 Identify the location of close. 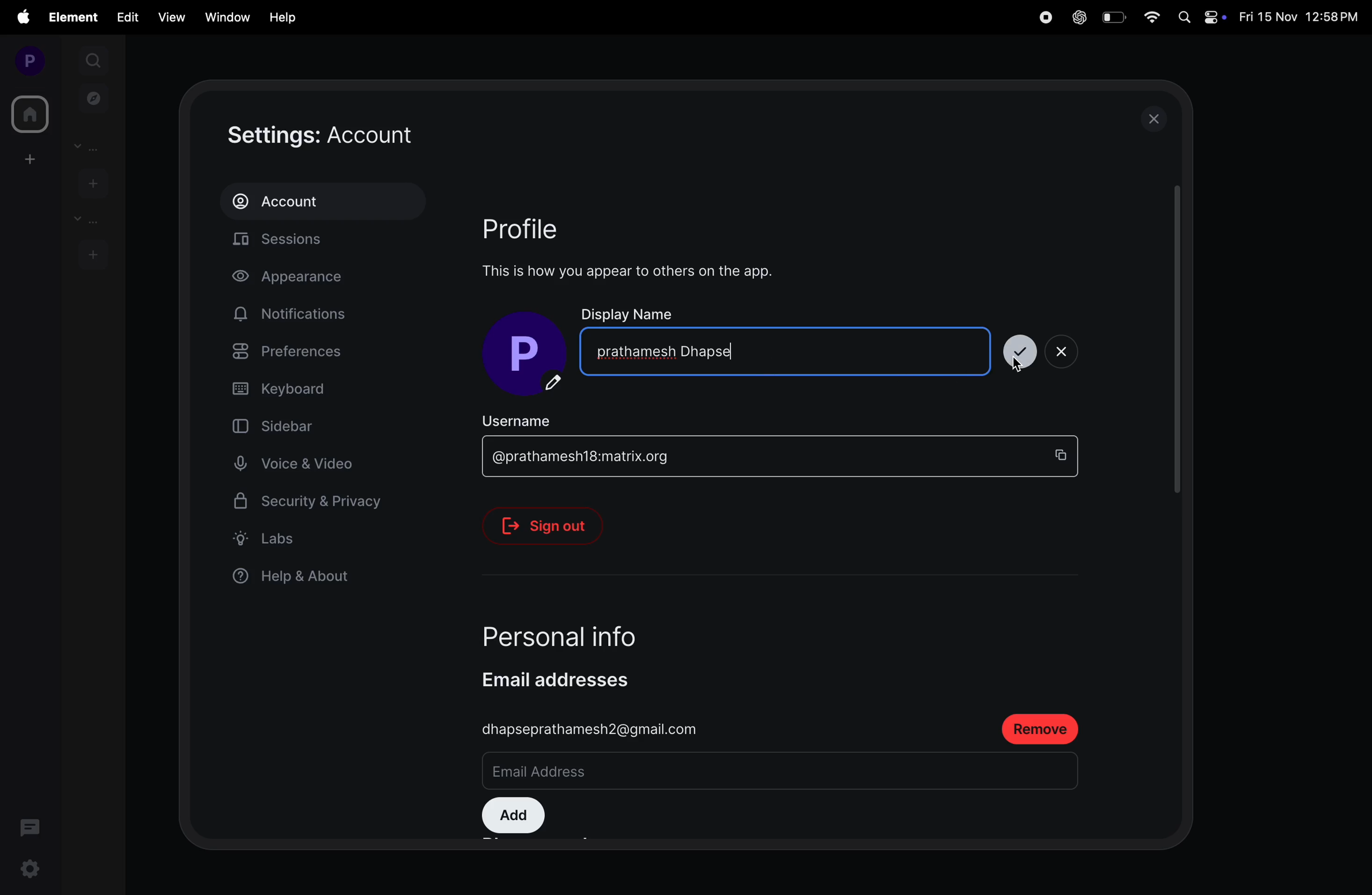
(1158, 118).